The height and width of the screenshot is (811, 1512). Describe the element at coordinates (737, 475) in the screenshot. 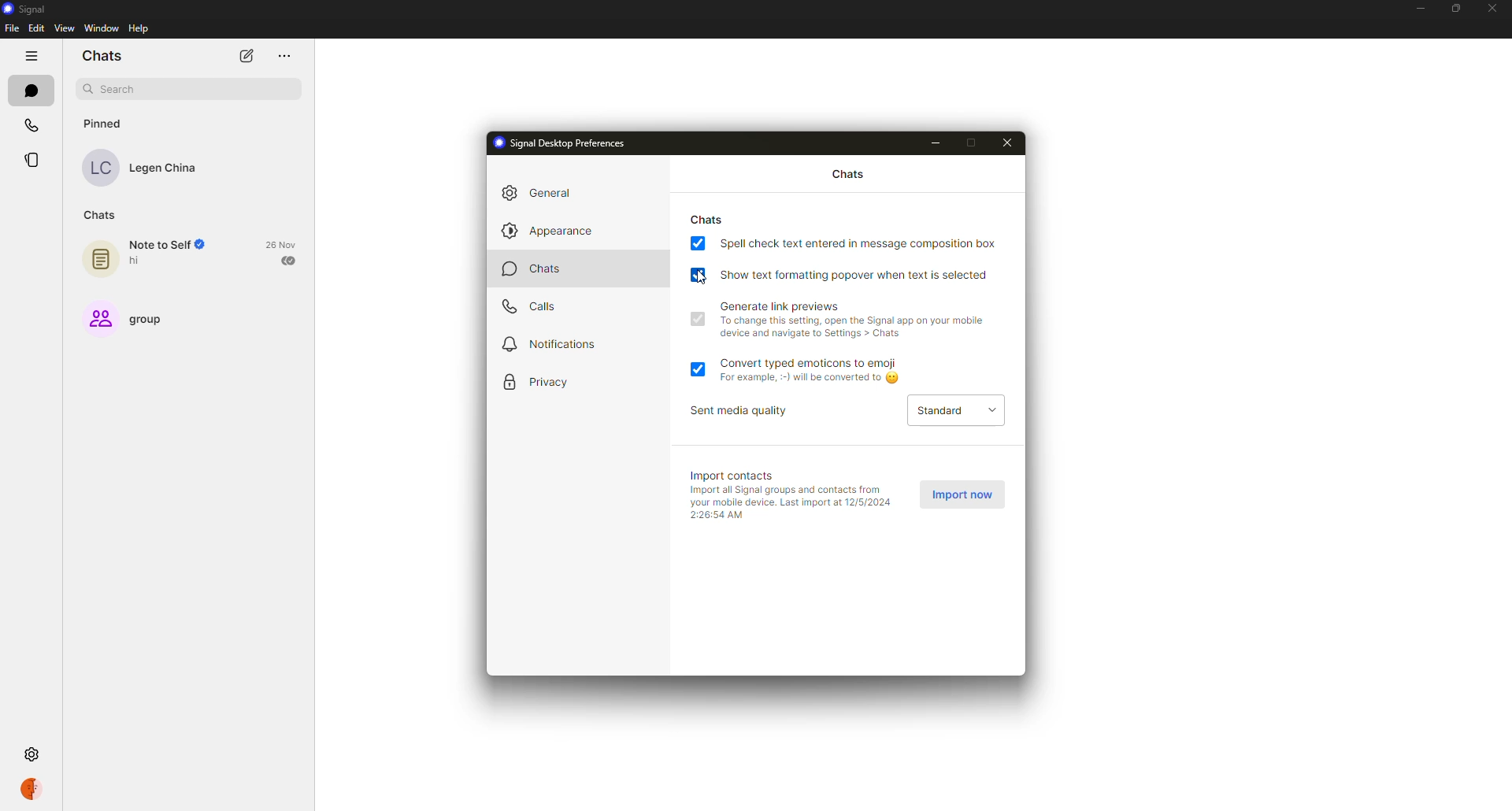

I see `import contacts` at that location.